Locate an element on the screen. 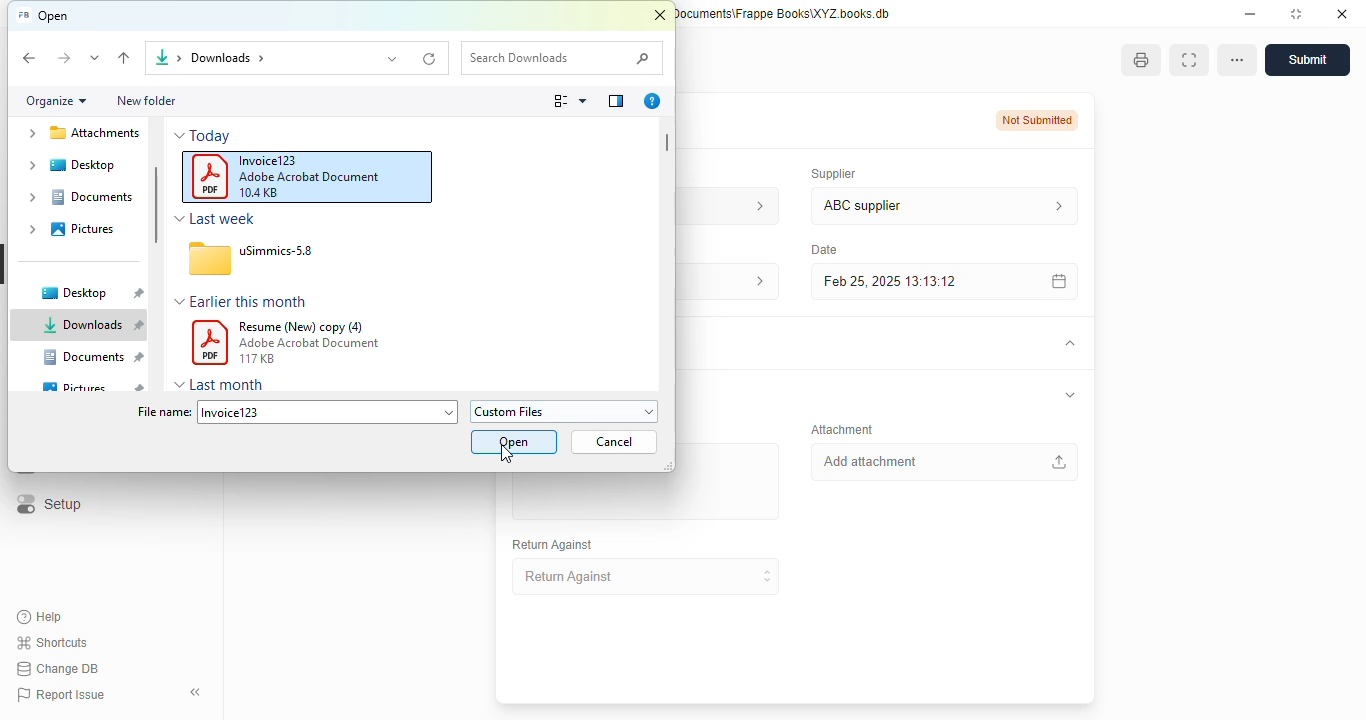 Image resolution: width=1366 pixels, height=720 pixels. dropdown is located at coordinates (180, 135).